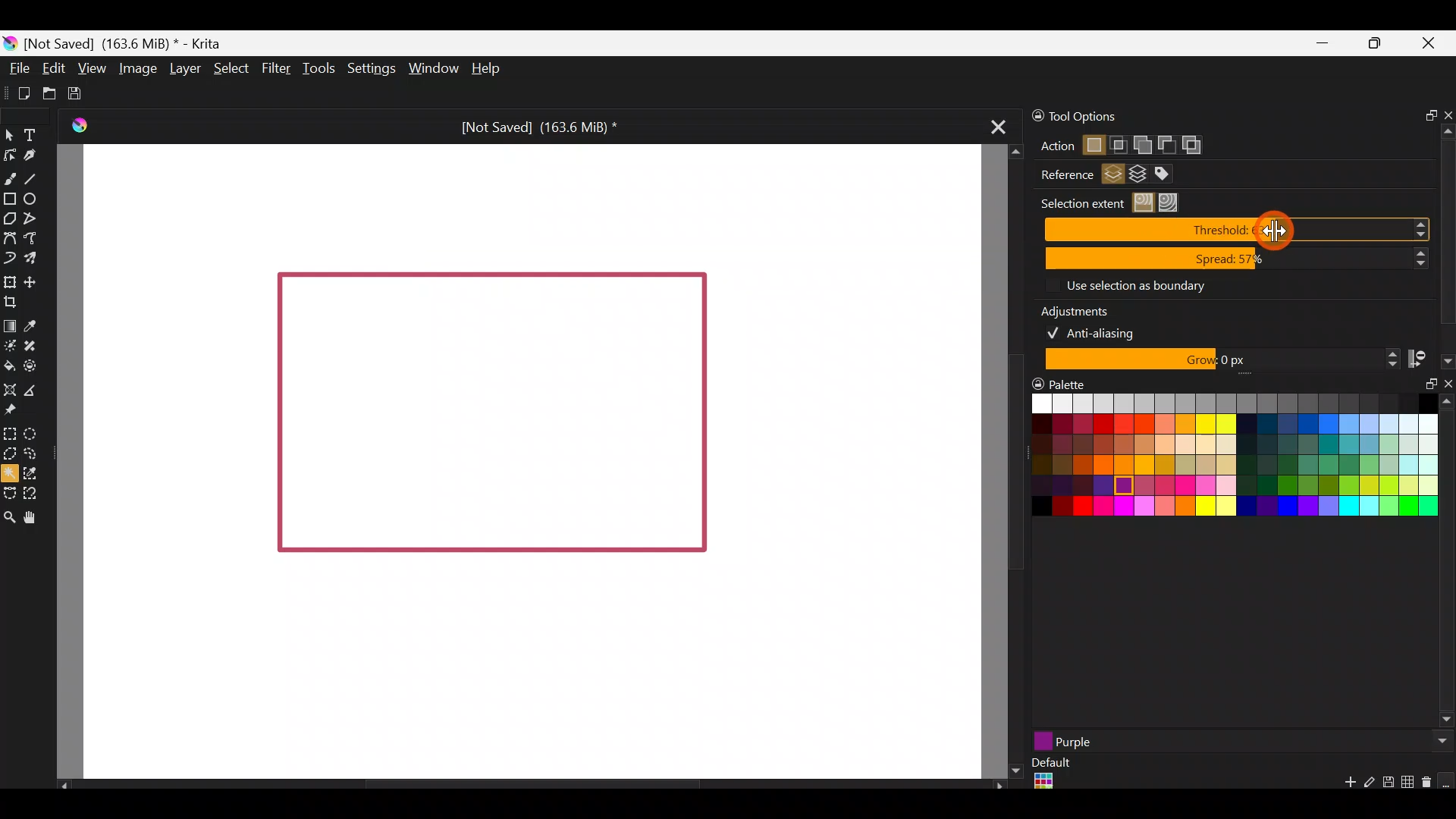 The width and height of the screenshot is (1456, 819). Describe the element at coordinates (1166, 143) in the screenshot. I see `Subtract` at that location.